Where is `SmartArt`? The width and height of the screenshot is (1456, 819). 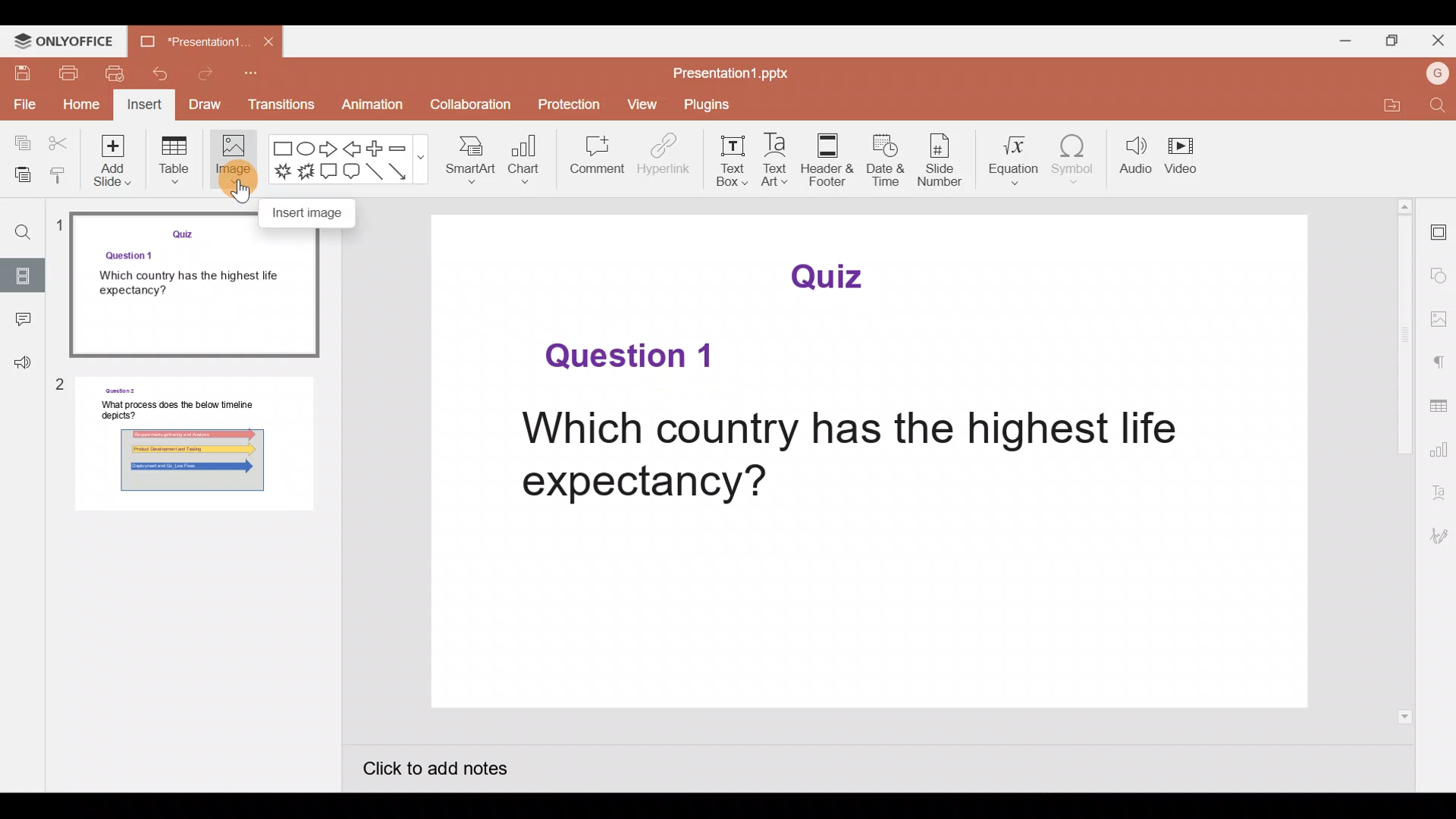 SmartArt is located at coordinates (474, 160).